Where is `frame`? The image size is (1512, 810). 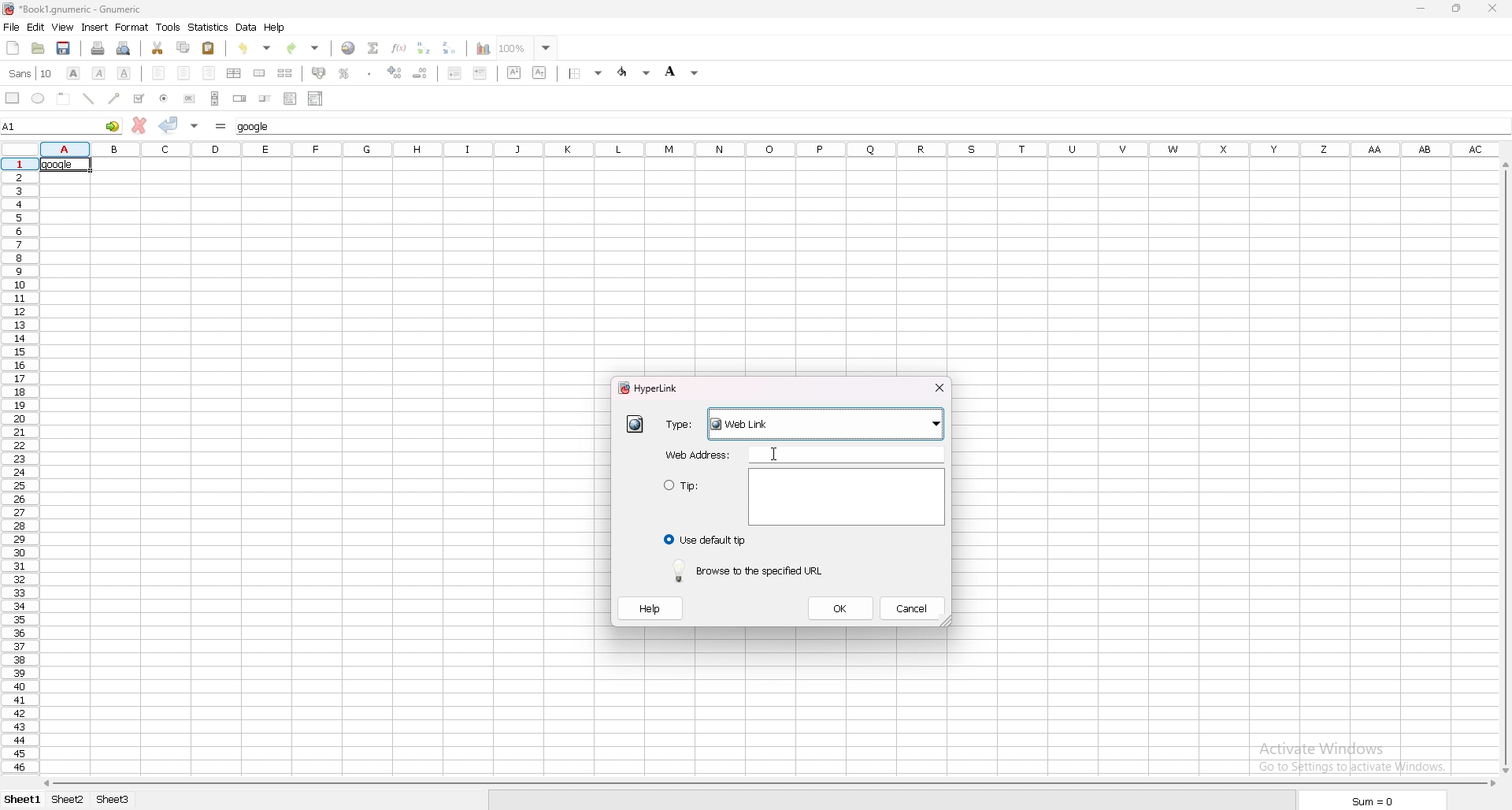 frame is located at coordinates (65, 98).